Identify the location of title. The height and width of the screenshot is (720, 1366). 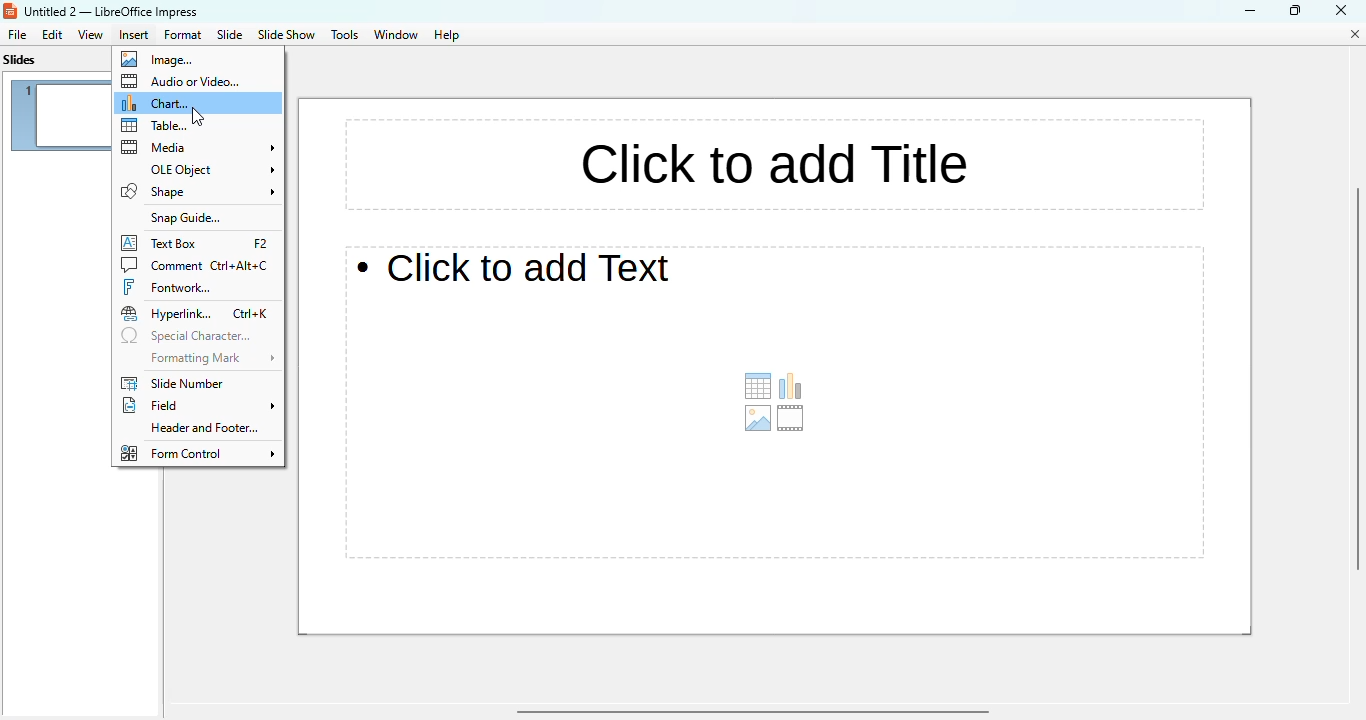
(778, 164).